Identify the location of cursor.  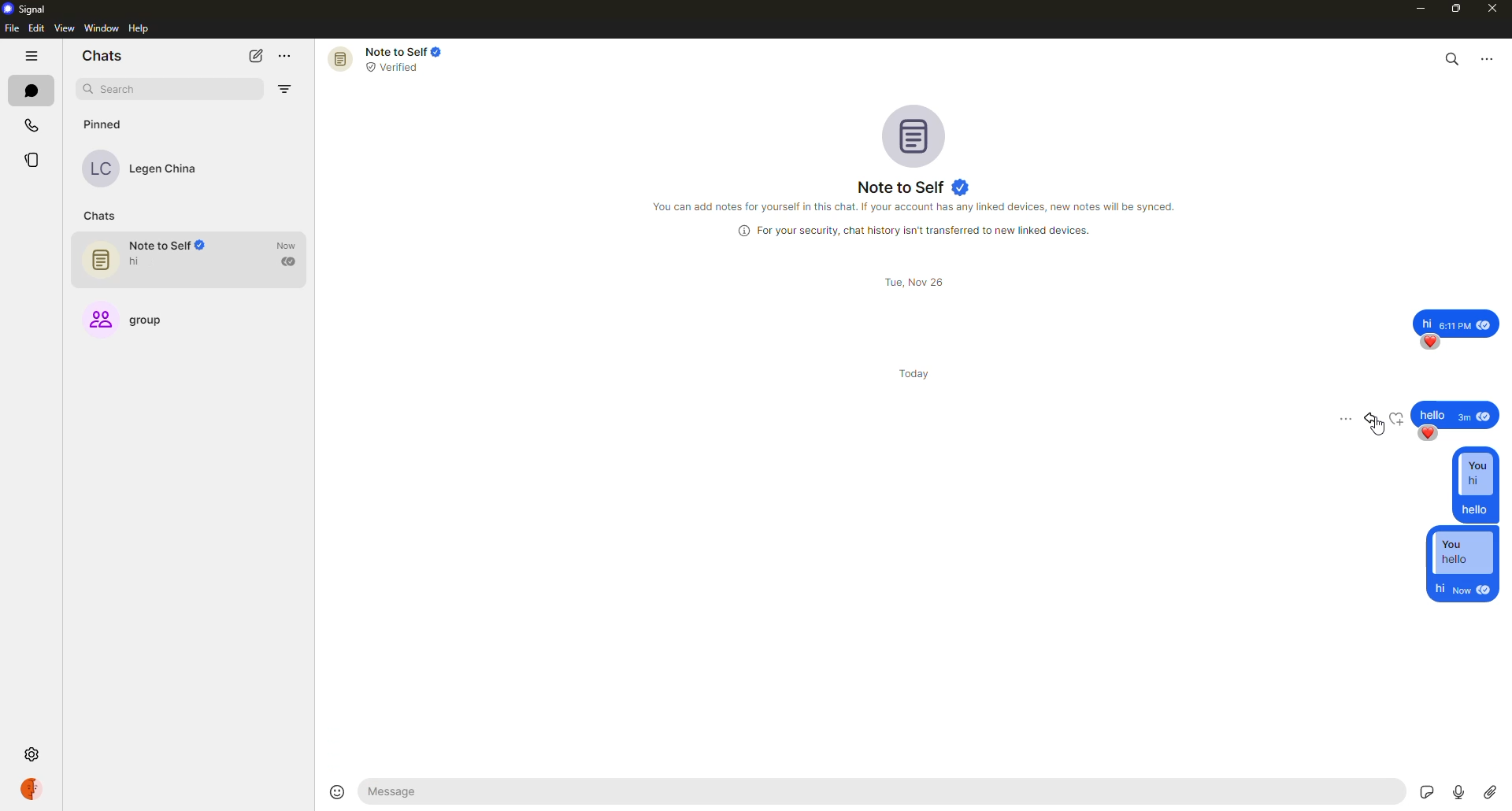
(1378, 435).